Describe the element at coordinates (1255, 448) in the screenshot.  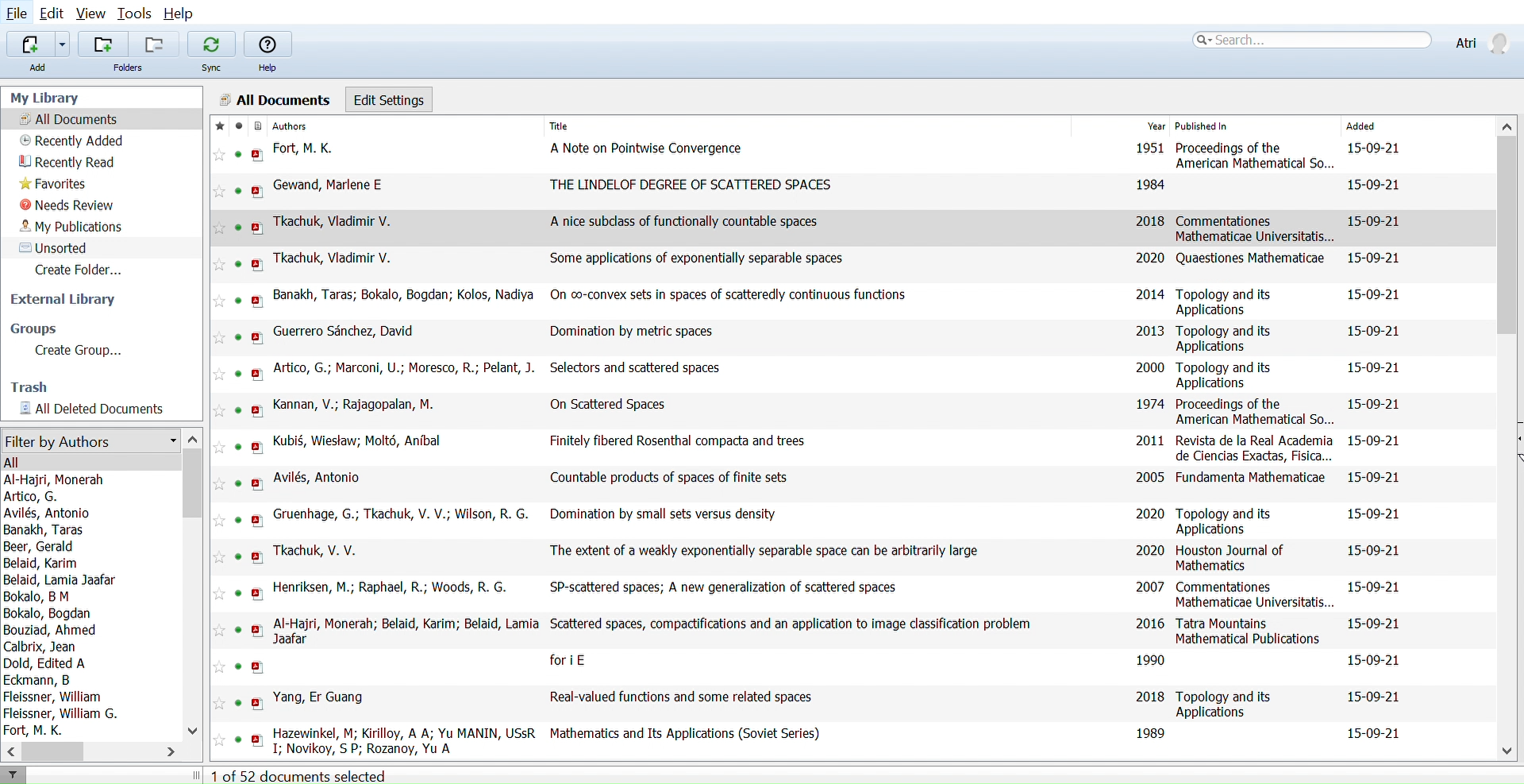
I see `Revista de la Real Academia de Ciencias Exactas, Fisica...` at that location.